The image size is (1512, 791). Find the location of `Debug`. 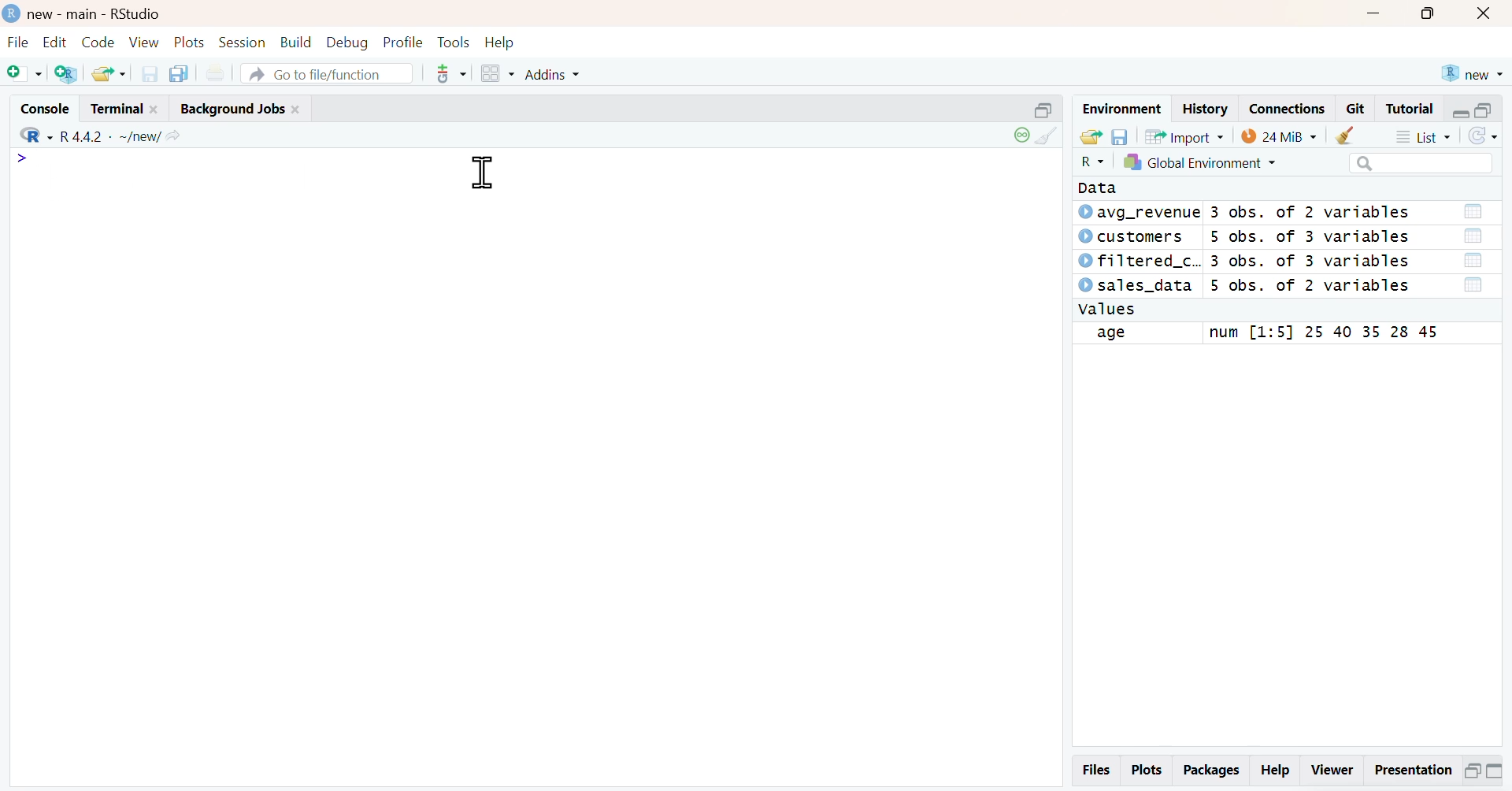

Debug is located at coordinates (346, 43).